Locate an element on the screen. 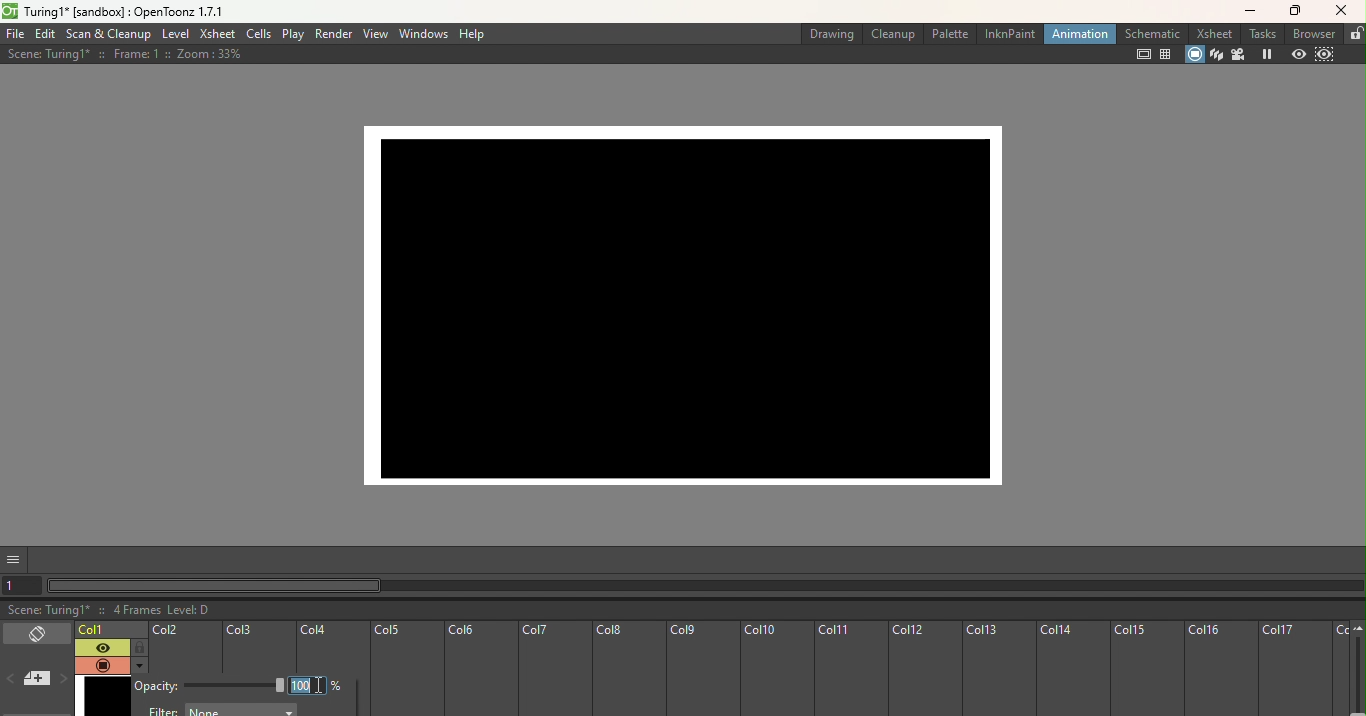  Turing1* [sandbox] : OpenToonz 1.7.1 is located at coordinates (127, 11).